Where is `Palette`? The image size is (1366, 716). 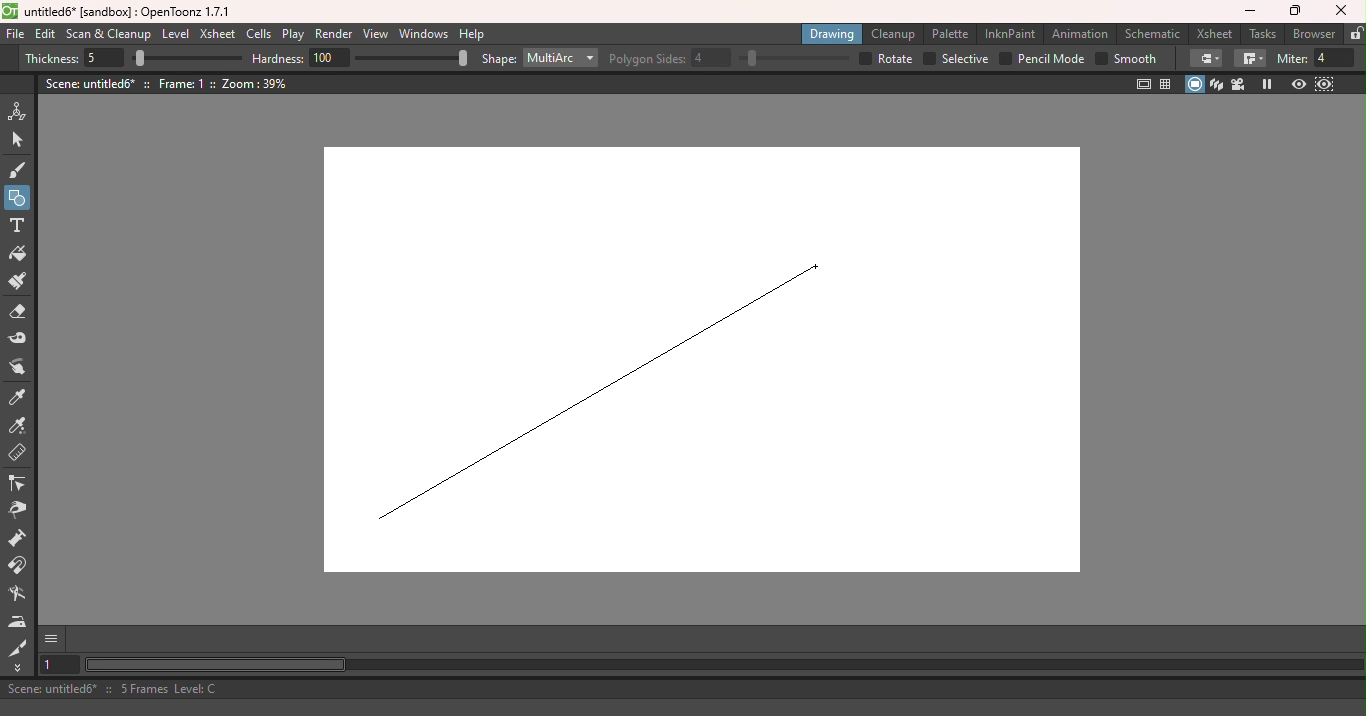 Palette is located at coordinates (949, 34).